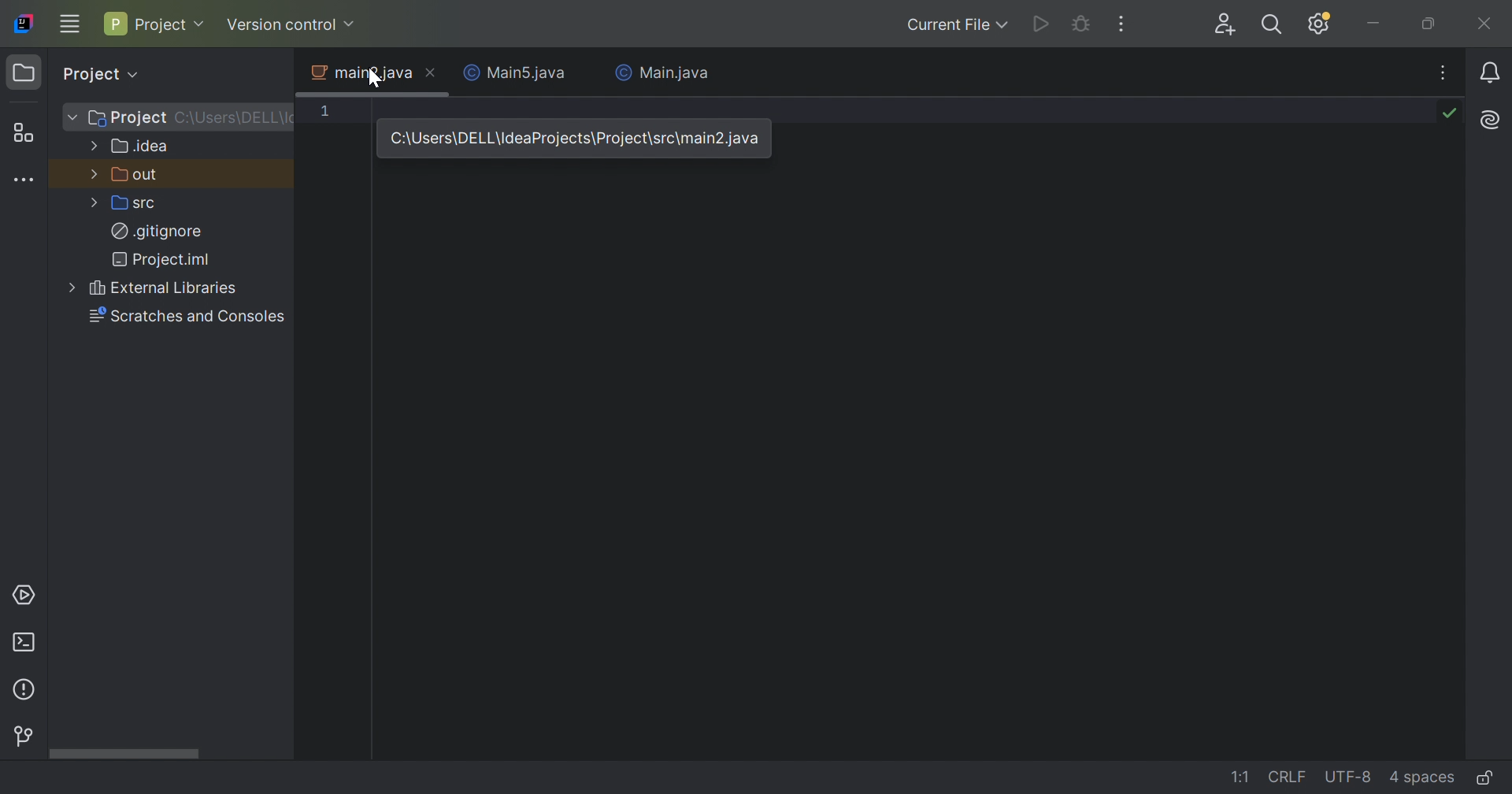 This screenshot has width=1512, height=794. I want to click on Make file read-only, so click(1492, 779).